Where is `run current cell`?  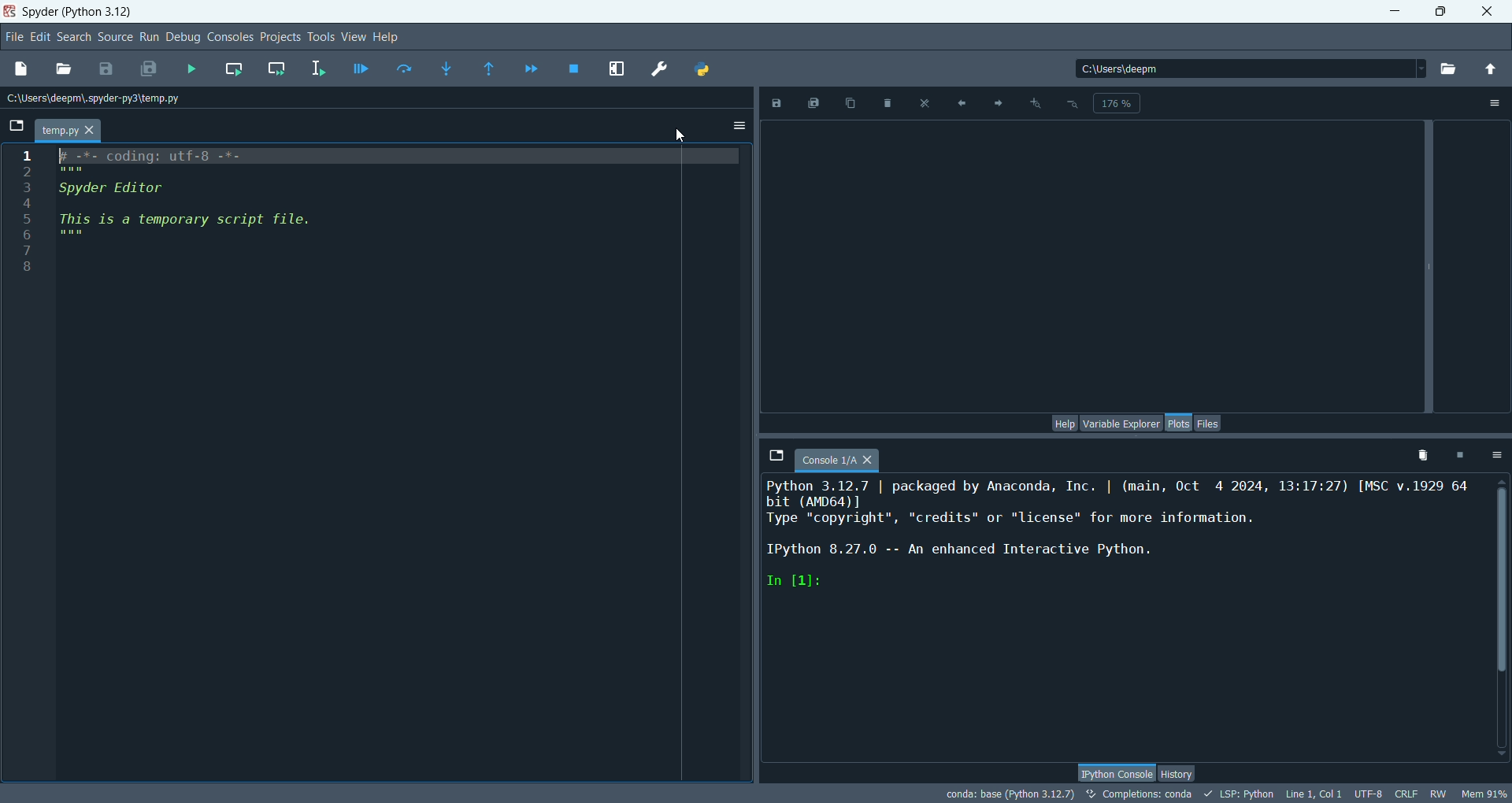
run current cell is located at coordinates (235, 68).